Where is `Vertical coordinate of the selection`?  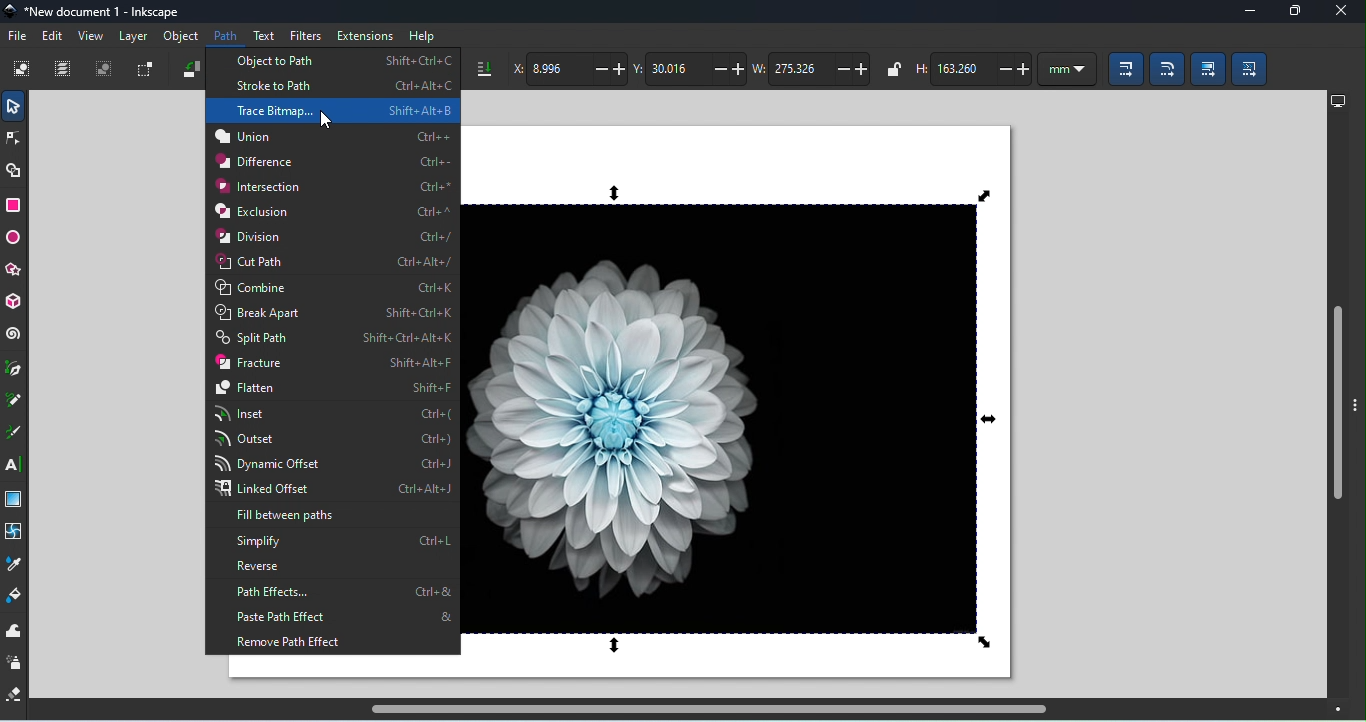
Vertical coordinate of the selection is located at coordinates (691, 68).